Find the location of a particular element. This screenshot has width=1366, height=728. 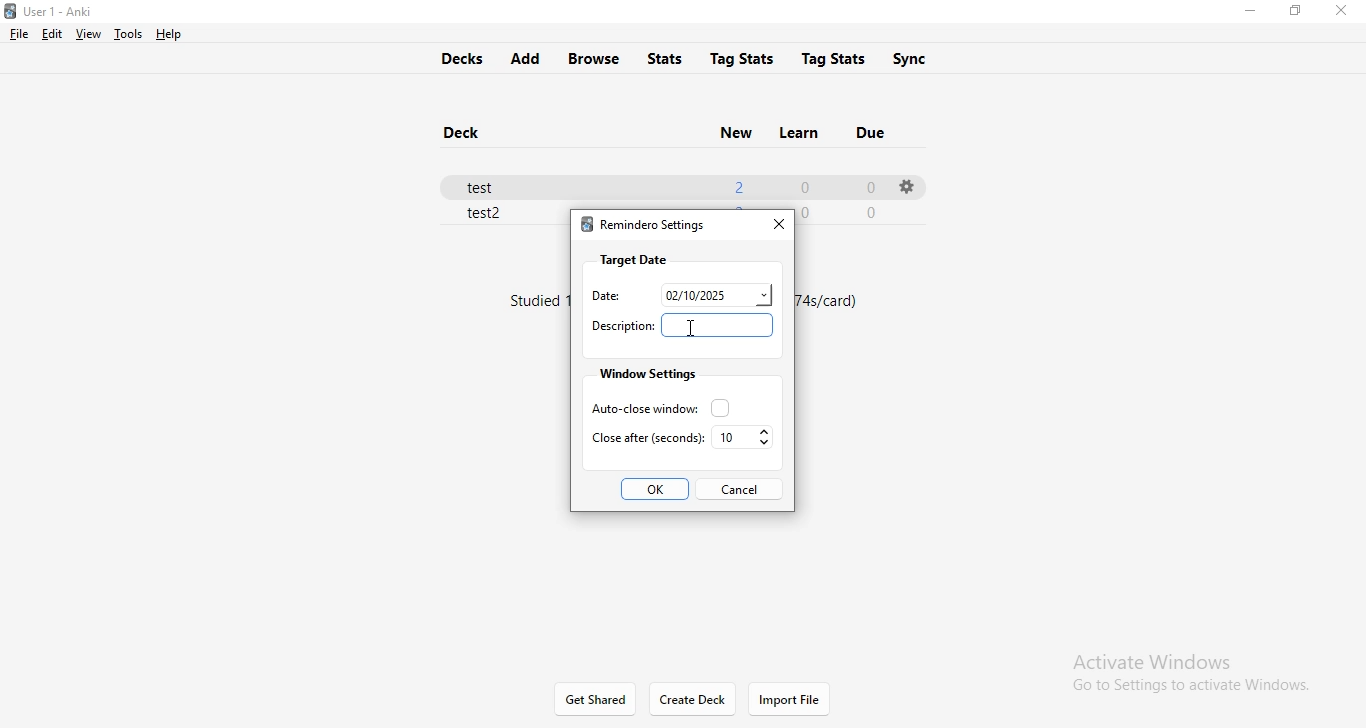

tags stats is located at coordinates (836, 56).